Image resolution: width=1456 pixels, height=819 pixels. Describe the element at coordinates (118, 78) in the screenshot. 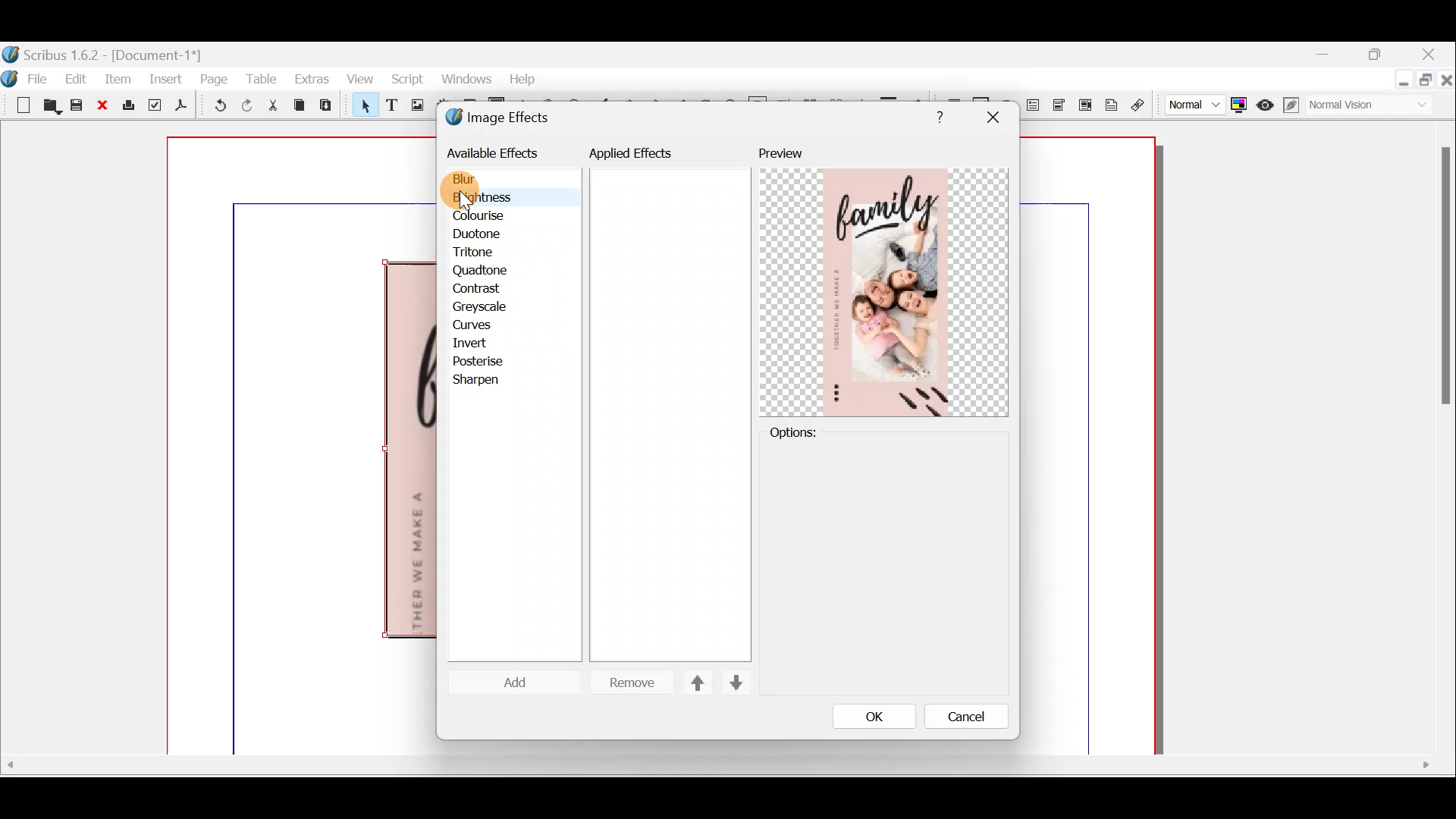

I see `Item` at that location.